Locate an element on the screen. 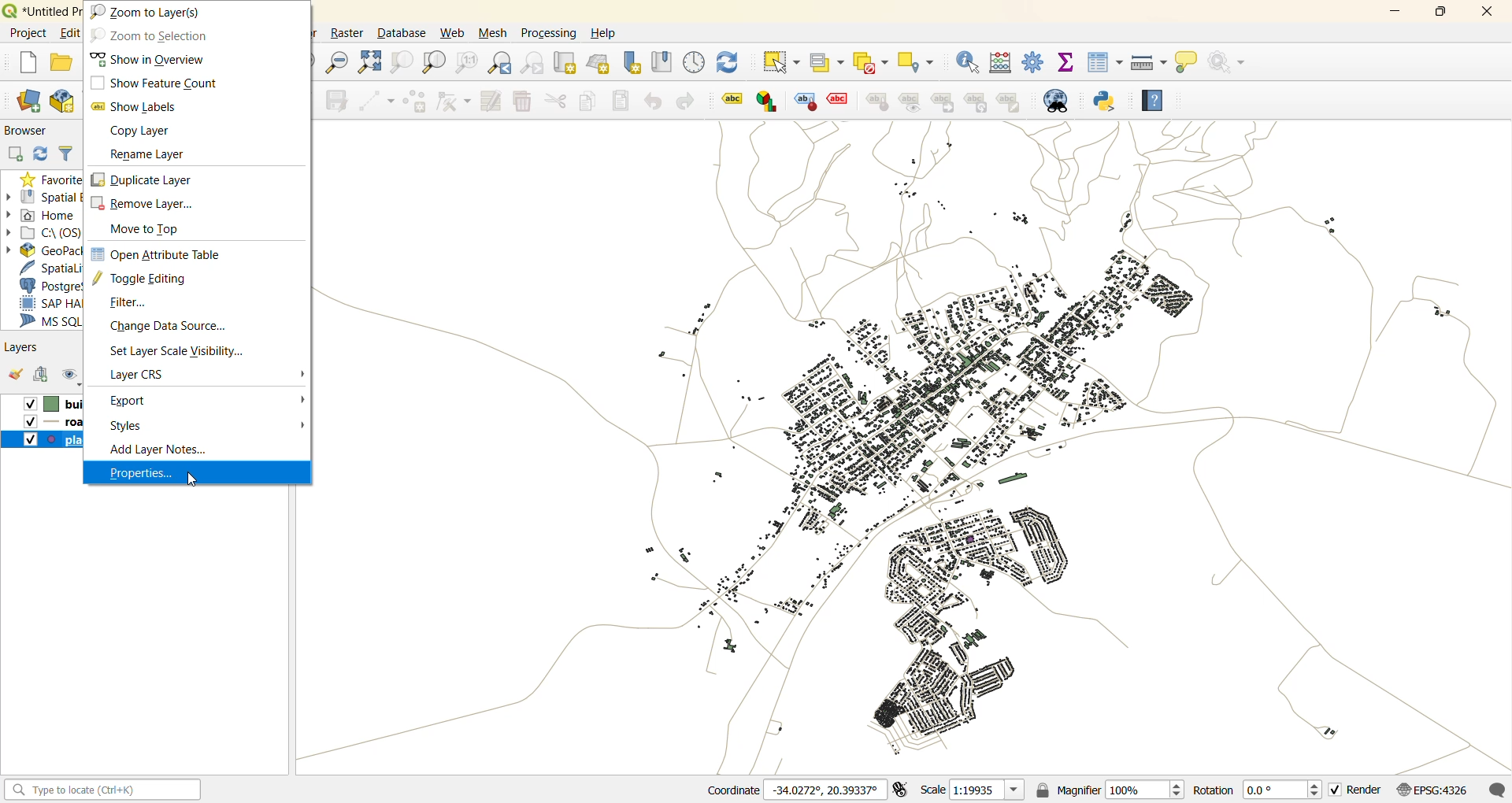 This screenshot has width=1512, height=803. export is located at coordinates (132, 402).